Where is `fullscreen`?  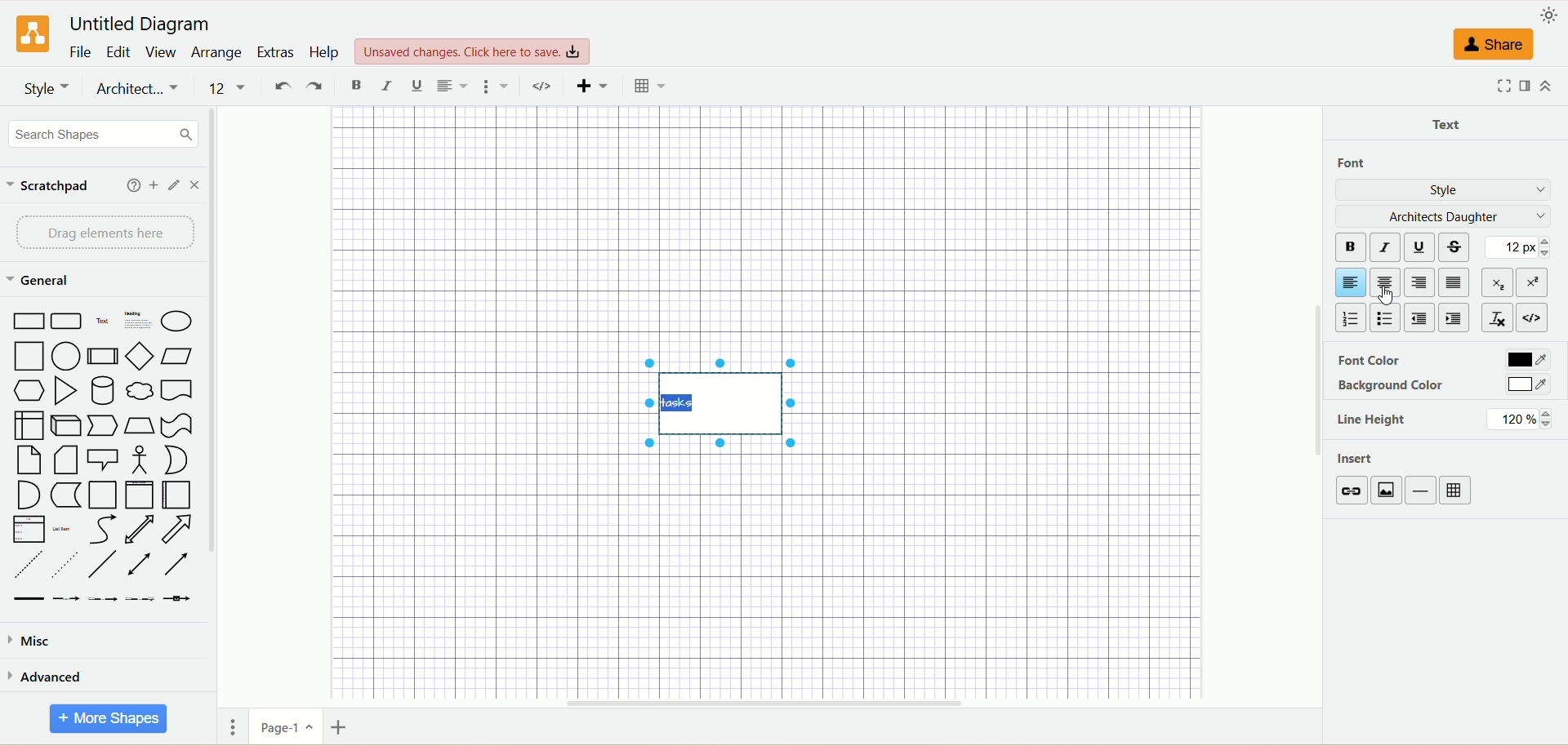
fullscreen is located at coordinates (1502, 87).